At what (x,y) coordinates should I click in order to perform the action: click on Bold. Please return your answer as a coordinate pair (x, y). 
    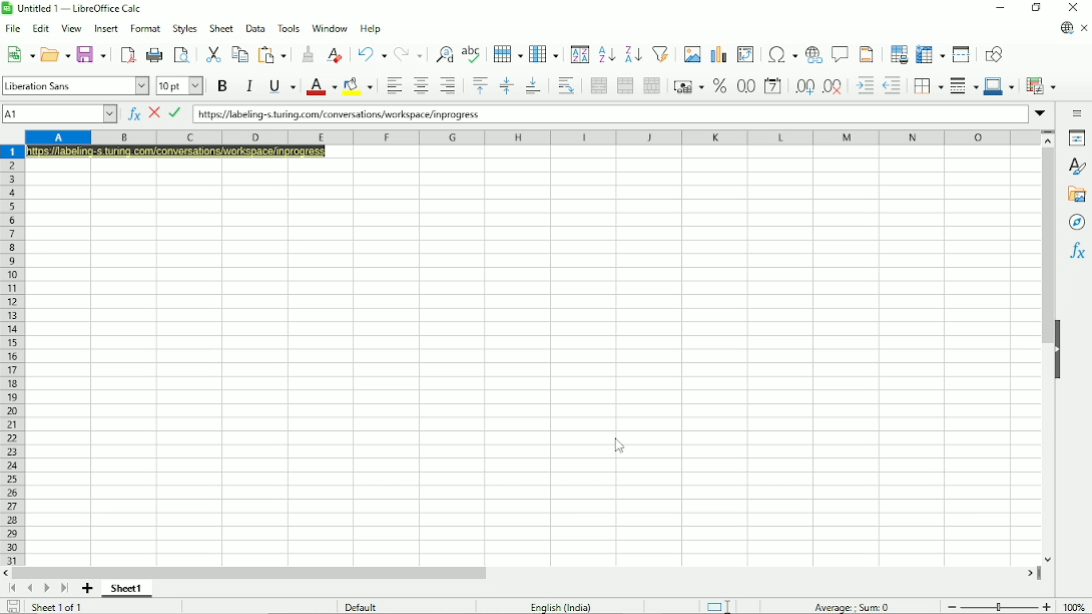
    Looking at the image, I should click on (222, 86).